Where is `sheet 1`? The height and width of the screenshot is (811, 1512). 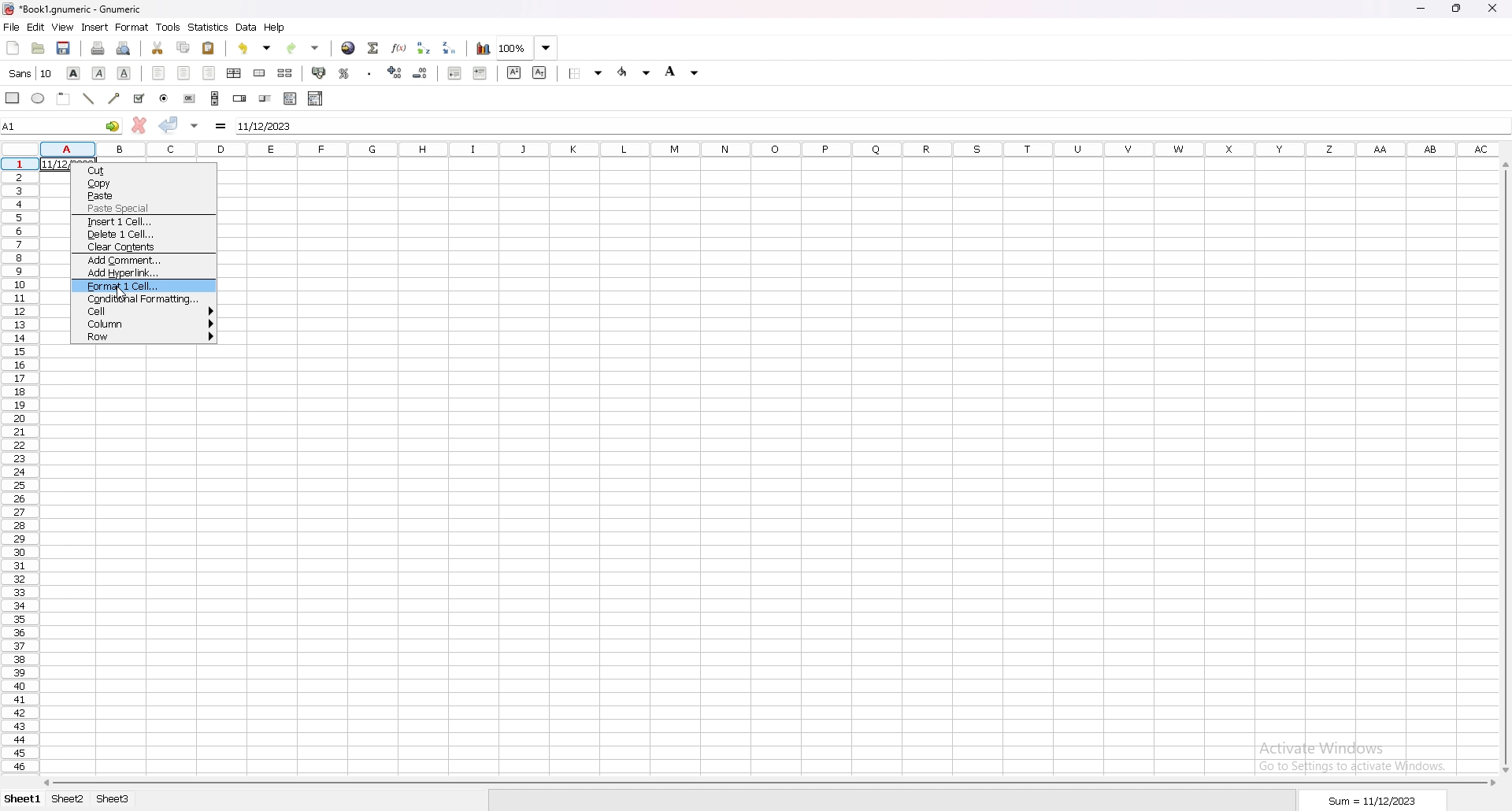
sheet 1 is located at coordinates (24, 799).